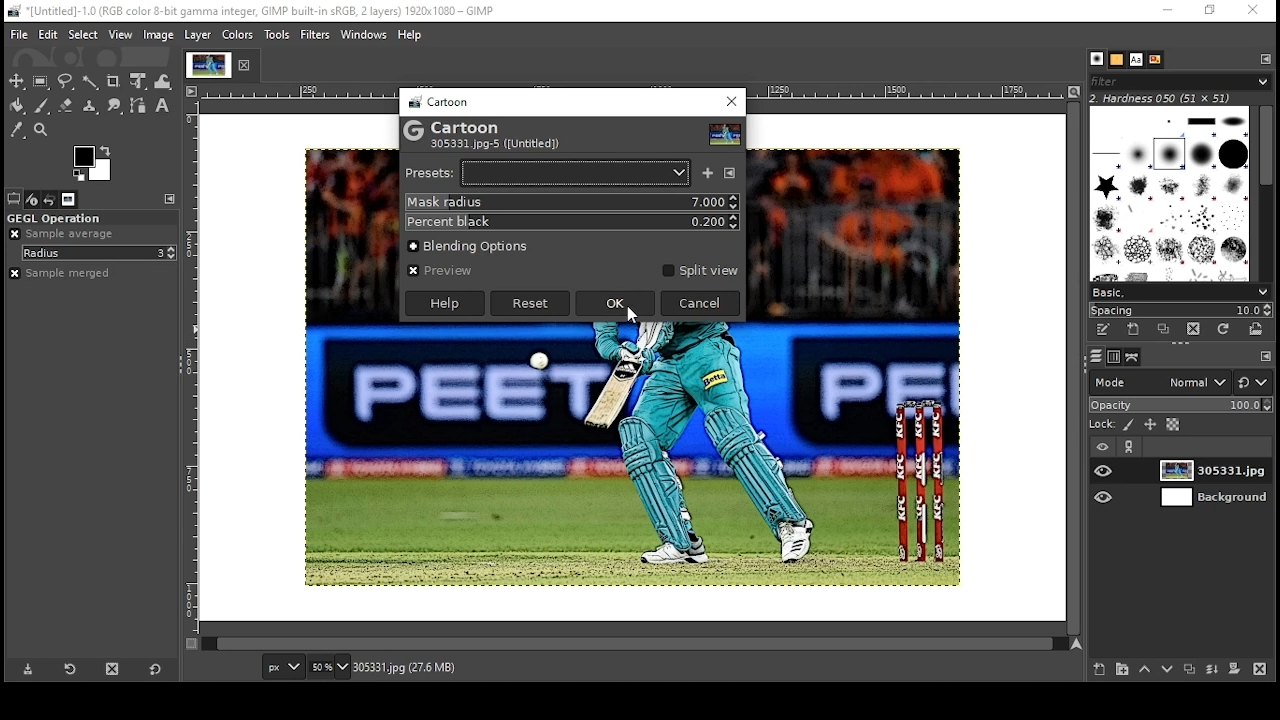 This screenshot has width=1280, height=720. Describe the element at coordinates (55, 218) in the screenshot. I see `gegl operation` at that location.